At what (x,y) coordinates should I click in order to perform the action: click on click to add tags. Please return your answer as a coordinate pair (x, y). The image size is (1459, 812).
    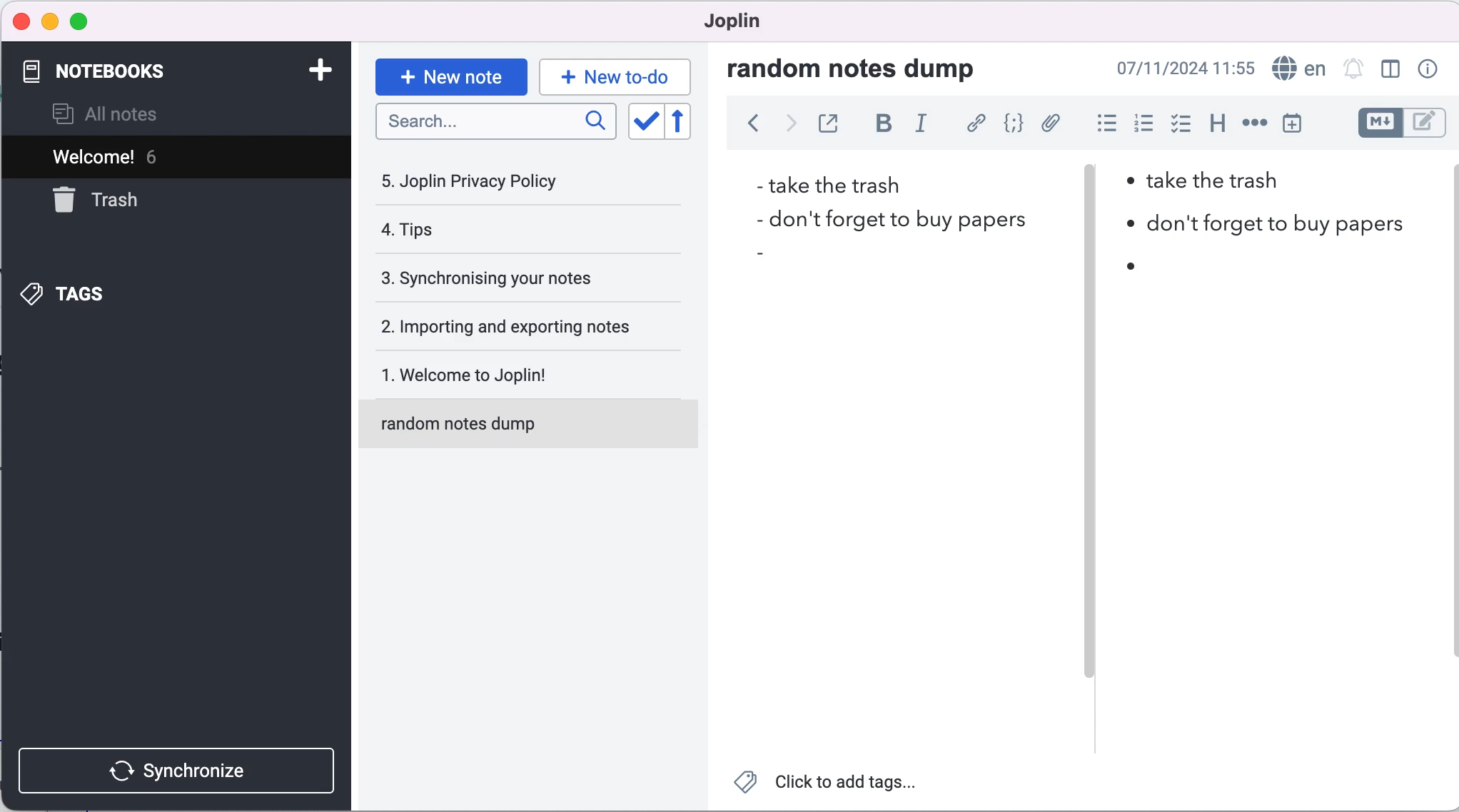
    Looking at the image, I should click on (832, 785).